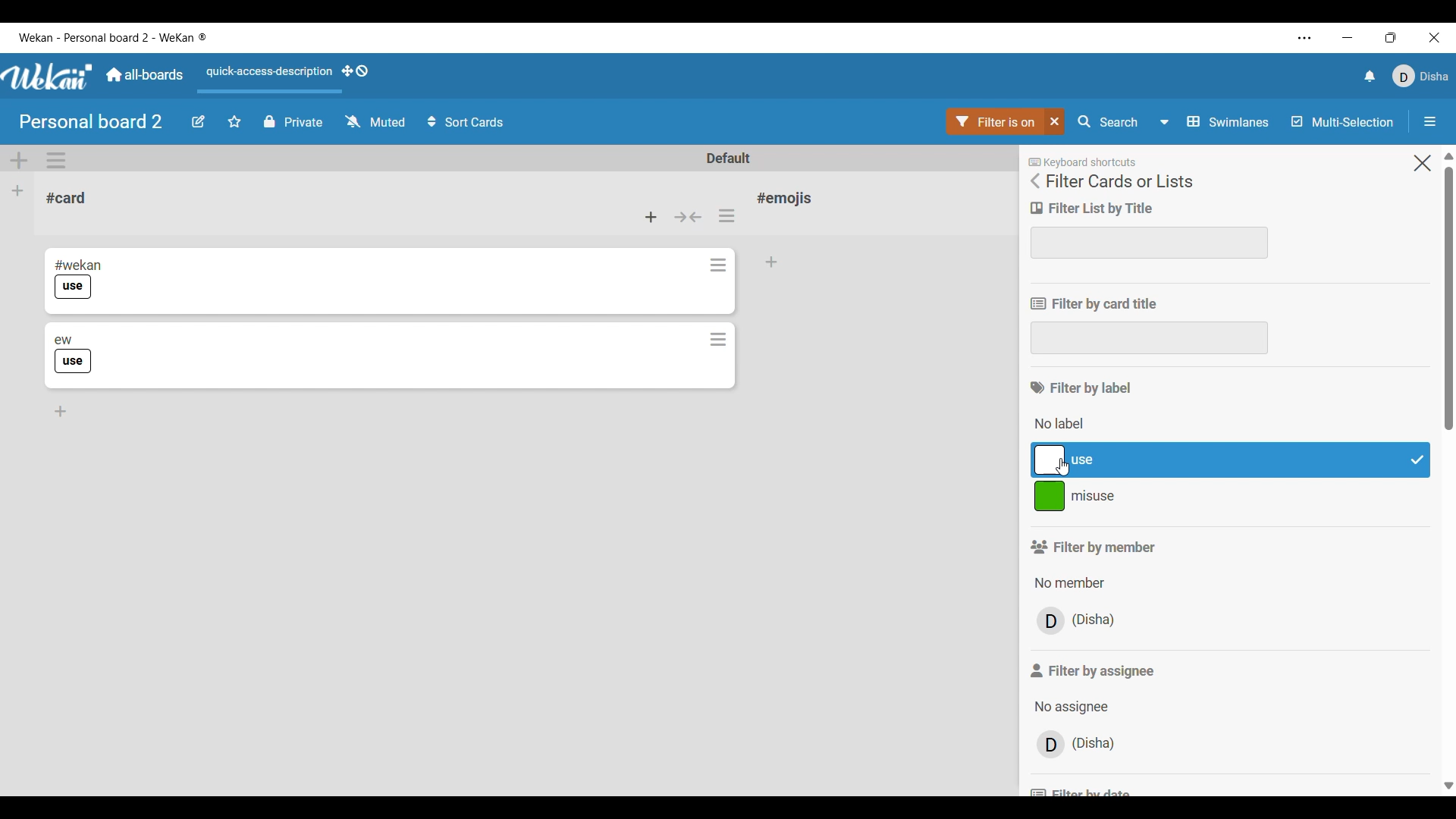 The width and height of the screenshot is (1456, 819). What do you see at coordinates (1081, 388) in the screenshot?
I see `Section title` at bounding box center [1081, 388].